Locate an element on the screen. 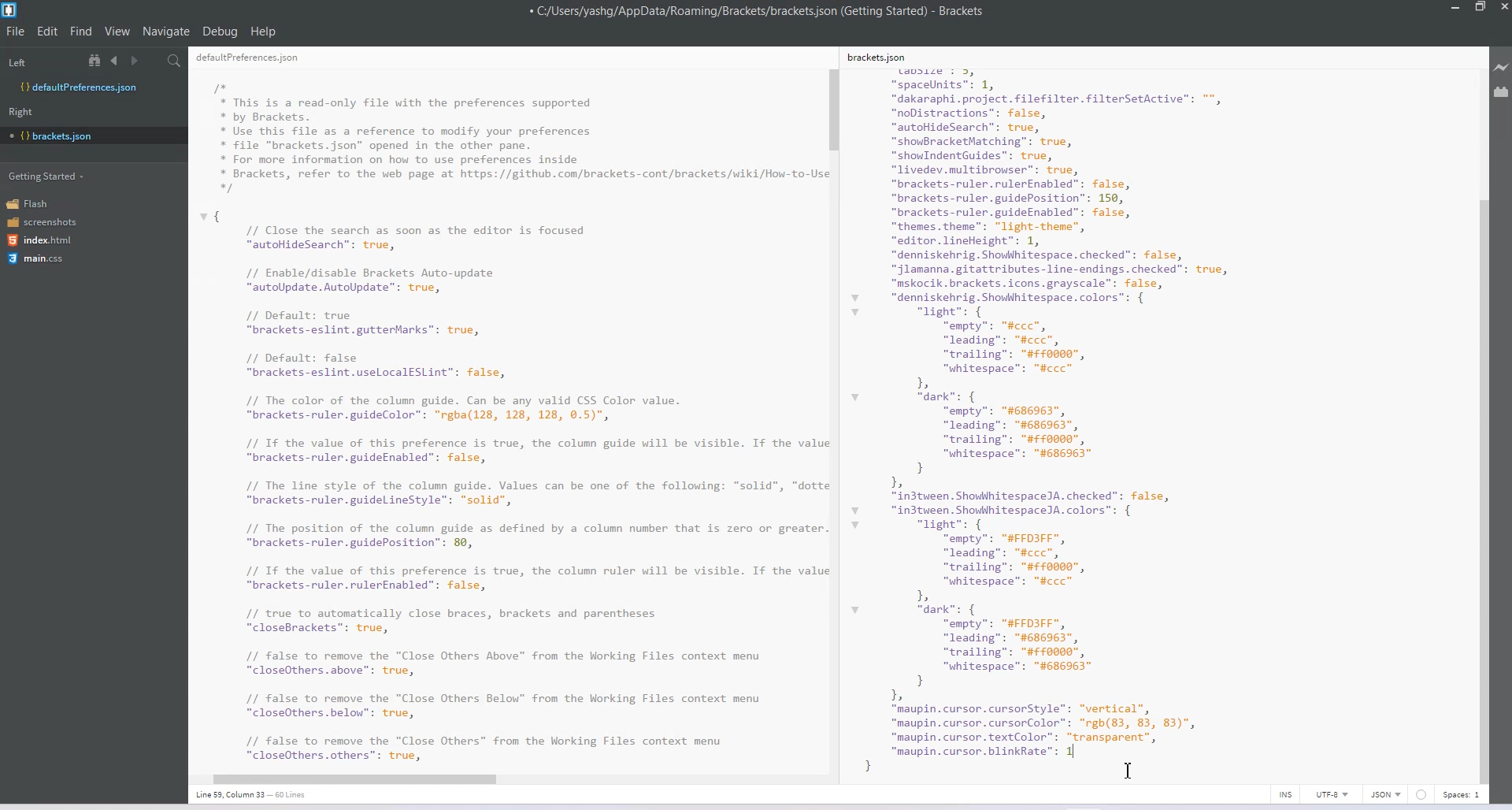 This screenshot has height=810, width=1512. bracket.json is located at coordinates (90, 135).